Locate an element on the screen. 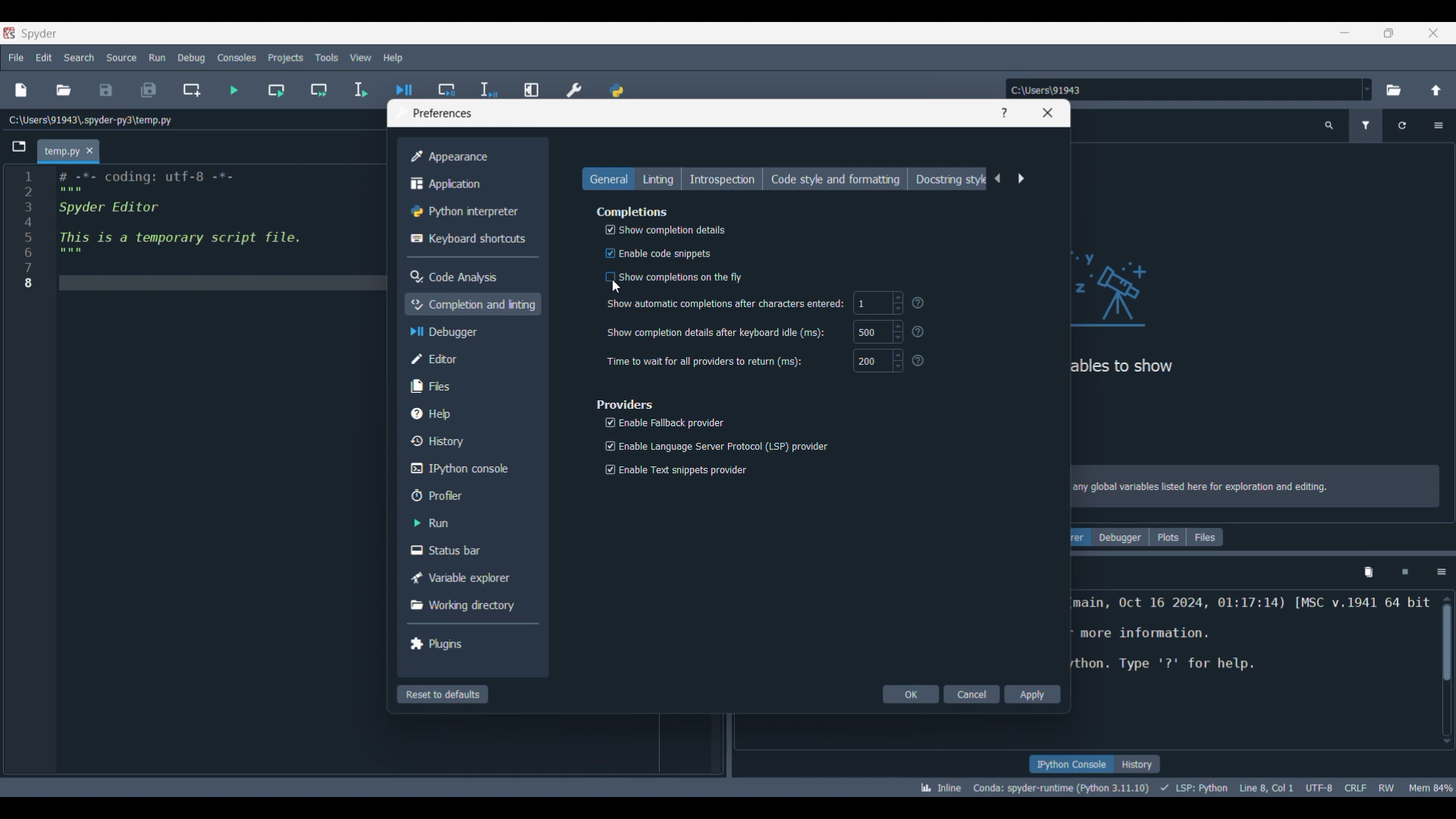 This screenshot has width=1456, height=819. Enter location is located at coordinates (1182, 89).